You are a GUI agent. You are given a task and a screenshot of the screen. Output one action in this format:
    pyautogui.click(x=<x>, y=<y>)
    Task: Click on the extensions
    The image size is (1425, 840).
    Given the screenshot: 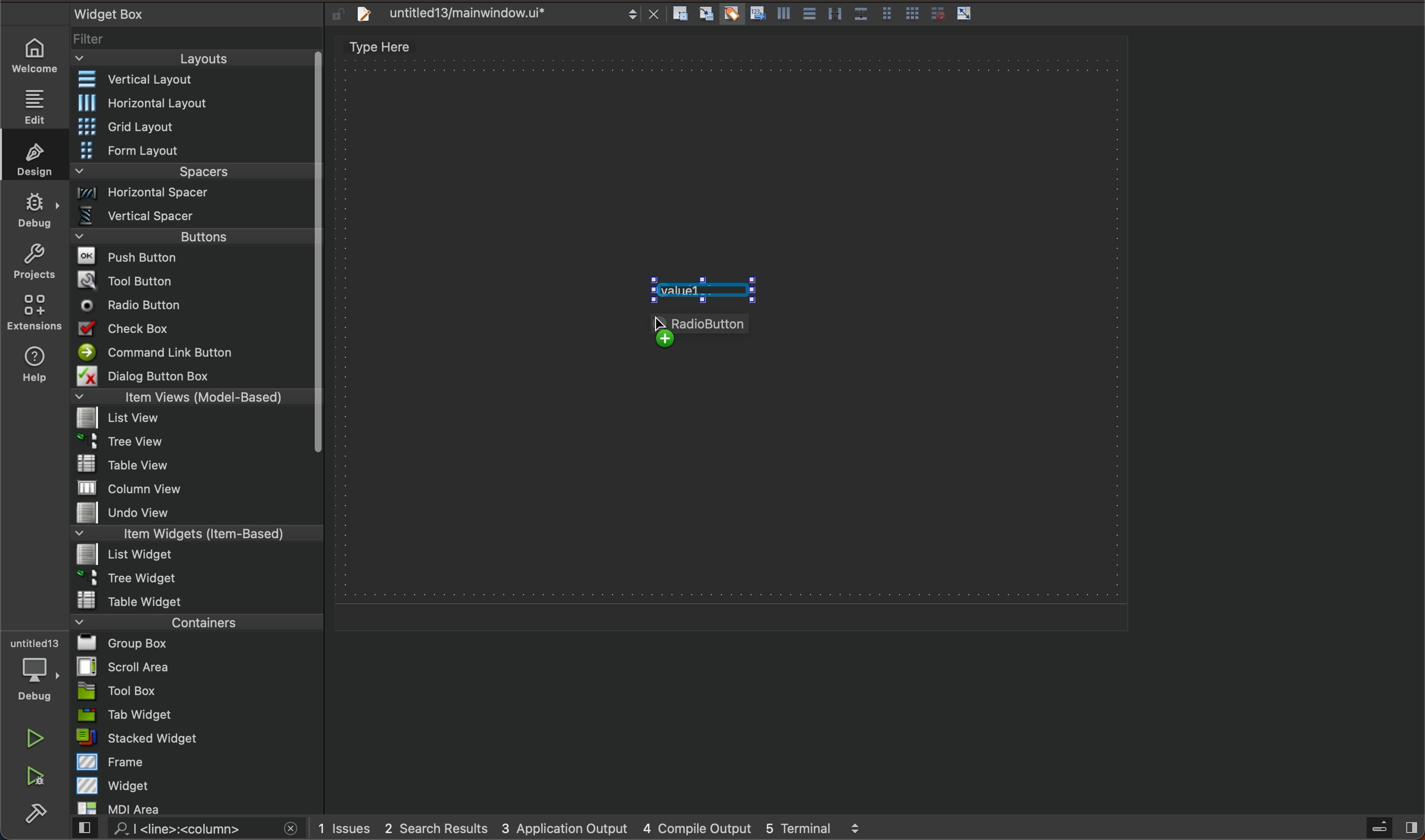 What is the action you would take?
    pyautogui.click(x=33, y=312)
    